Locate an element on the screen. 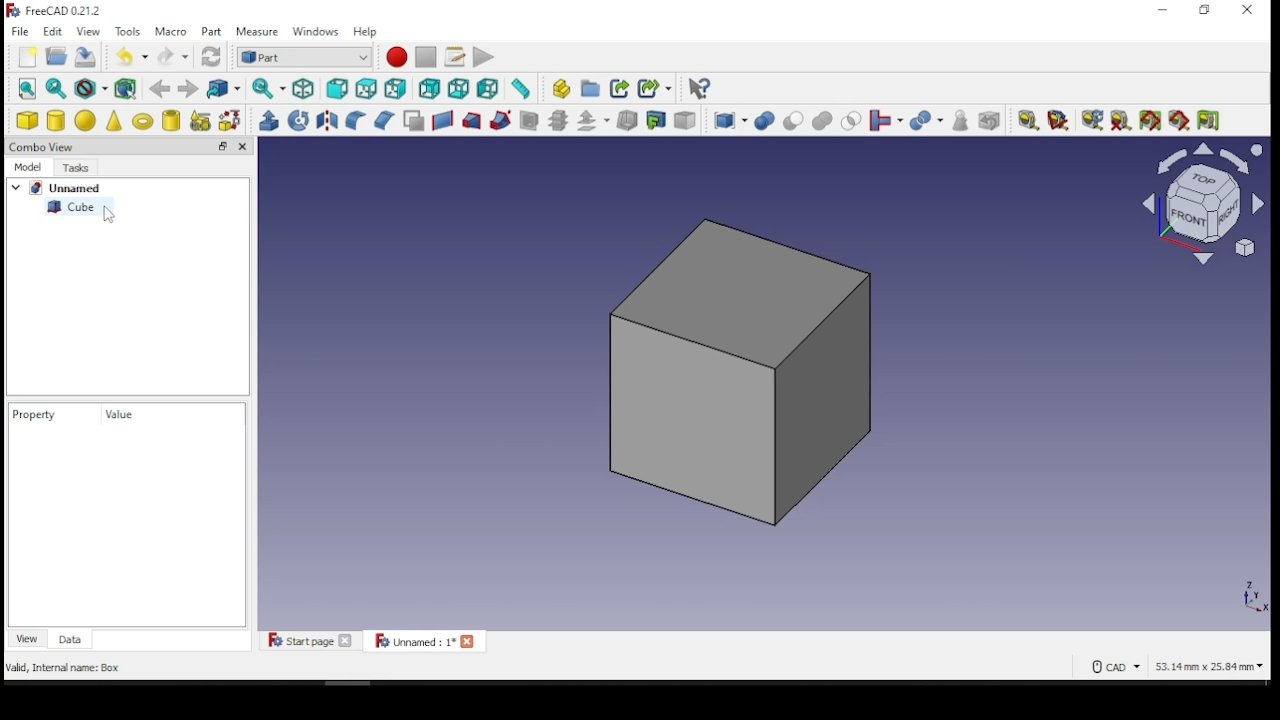 The image size is (1280, 720). select view is located at coordinates (1202, 206).